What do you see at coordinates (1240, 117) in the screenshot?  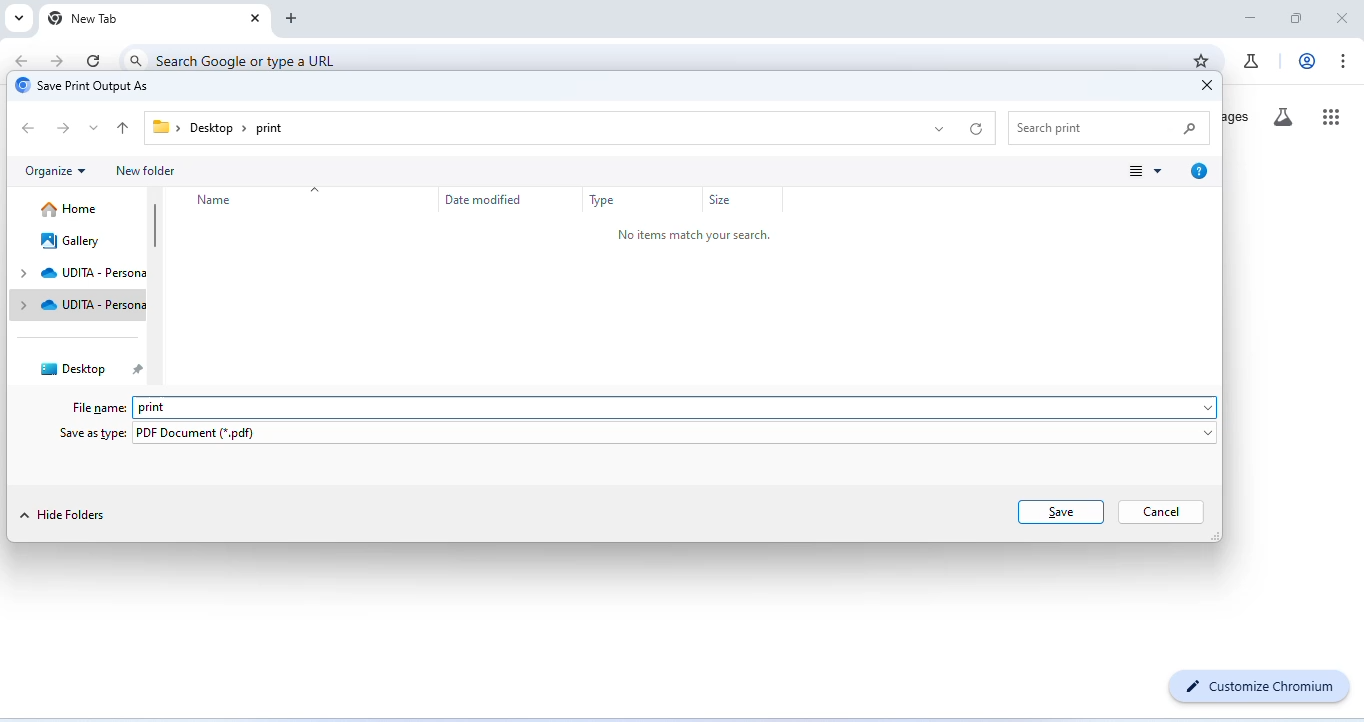 I see `images` at bounding box center [1240, 117].